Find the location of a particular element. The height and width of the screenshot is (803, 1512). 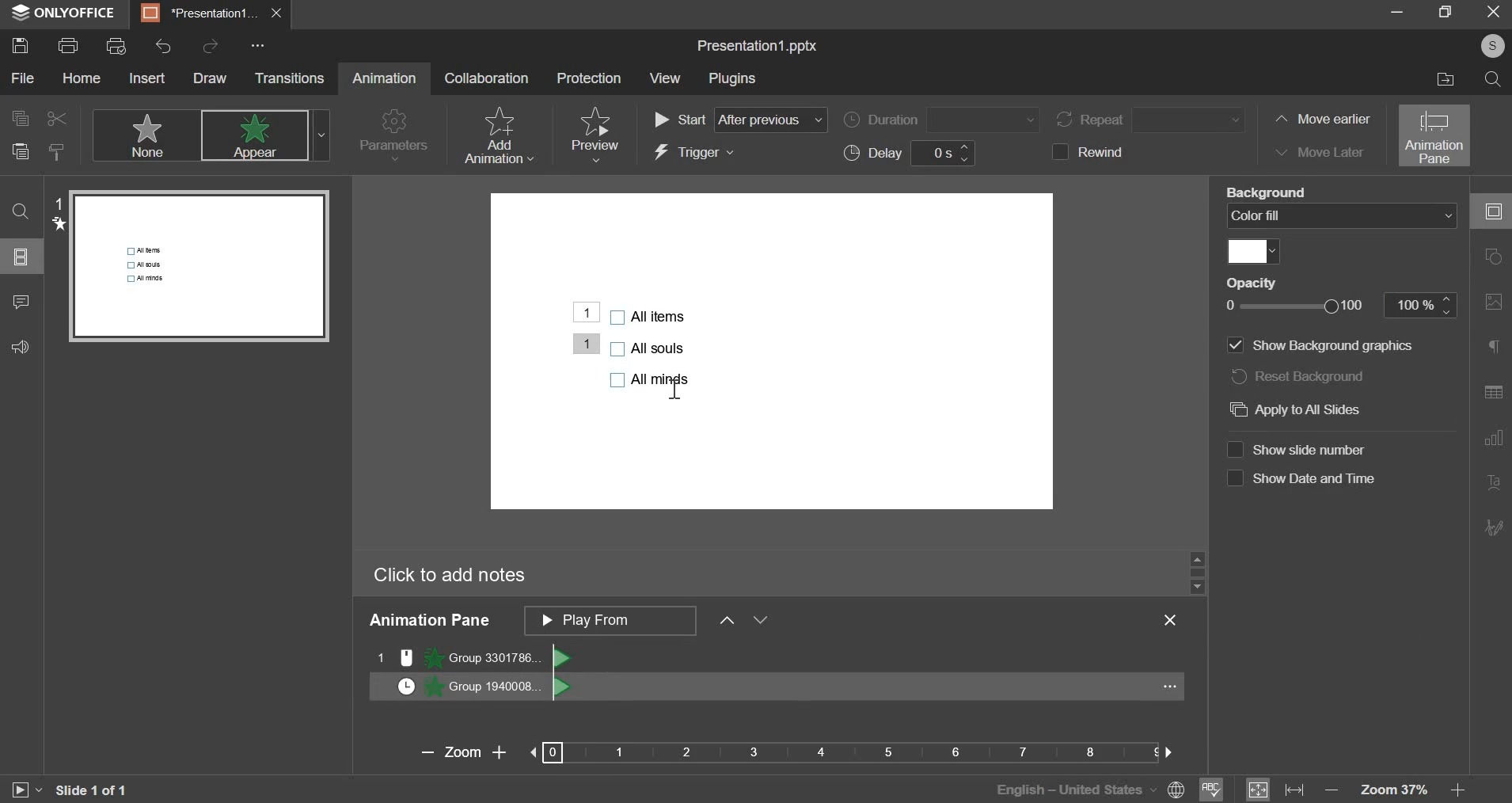

parameters is located at coordinates (394, 137).